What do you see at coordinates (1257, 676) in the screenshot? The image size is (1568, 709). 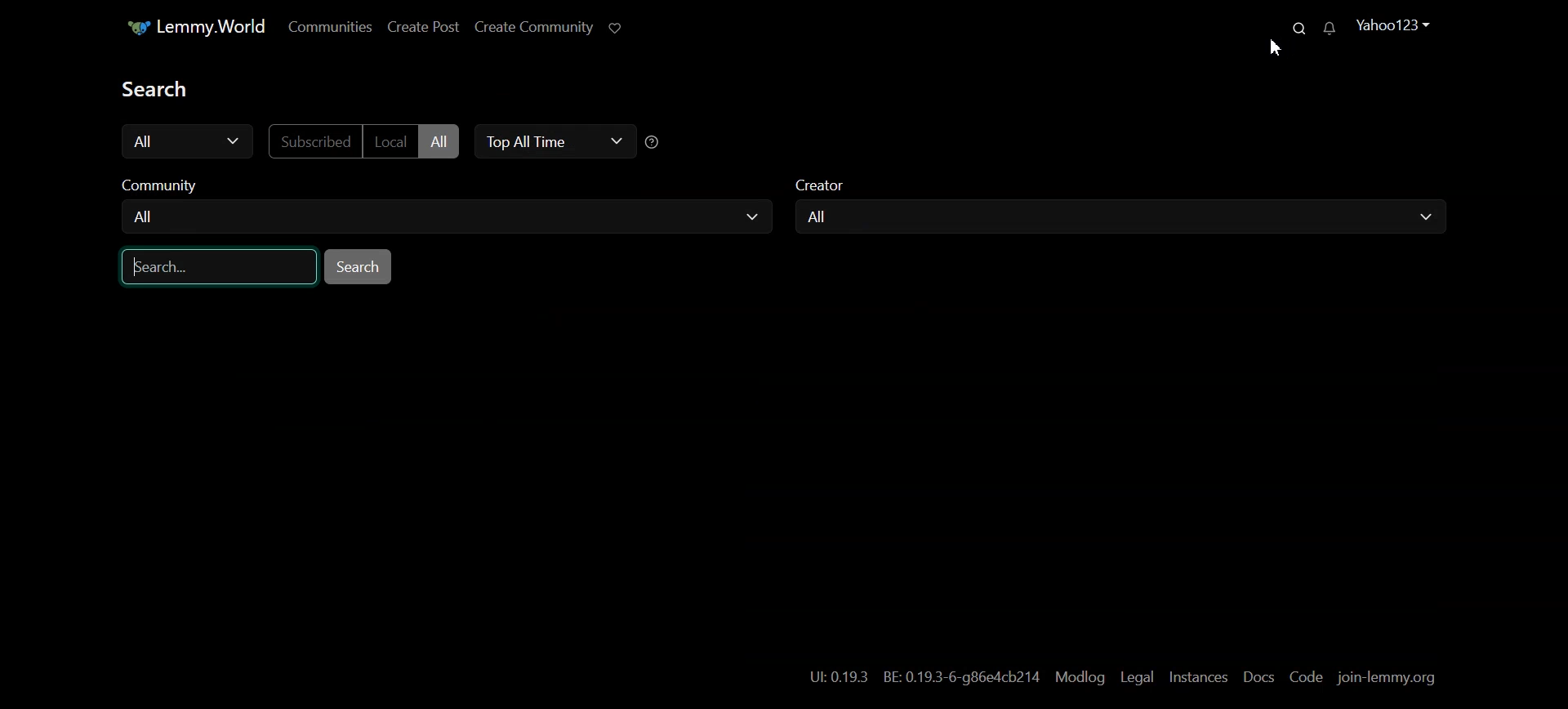 I see `Docs` at bounding box center [1257, 676].